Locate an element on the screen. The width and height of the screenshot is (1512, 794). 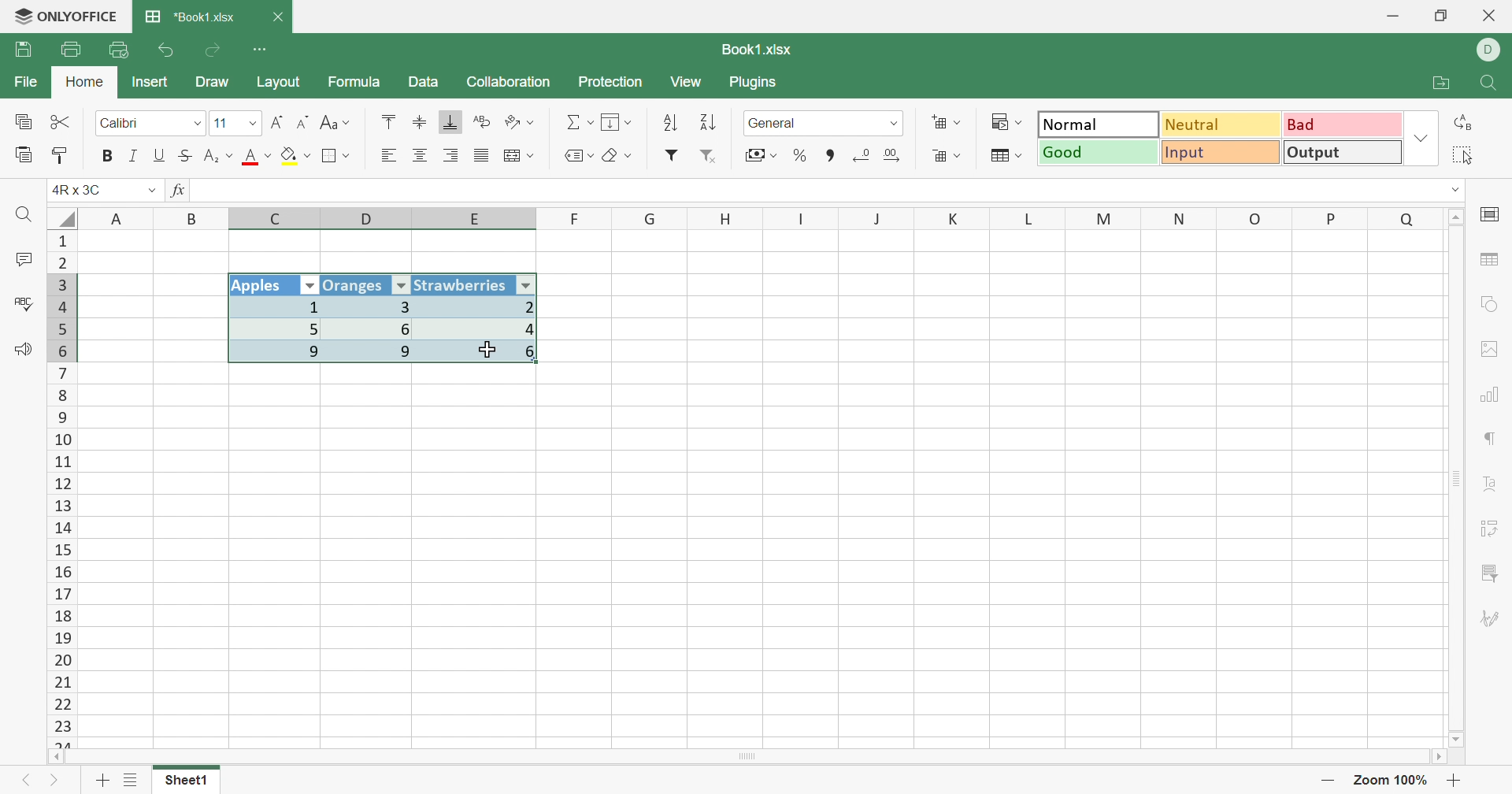
Percentage style is located at coordinates (799, 154).